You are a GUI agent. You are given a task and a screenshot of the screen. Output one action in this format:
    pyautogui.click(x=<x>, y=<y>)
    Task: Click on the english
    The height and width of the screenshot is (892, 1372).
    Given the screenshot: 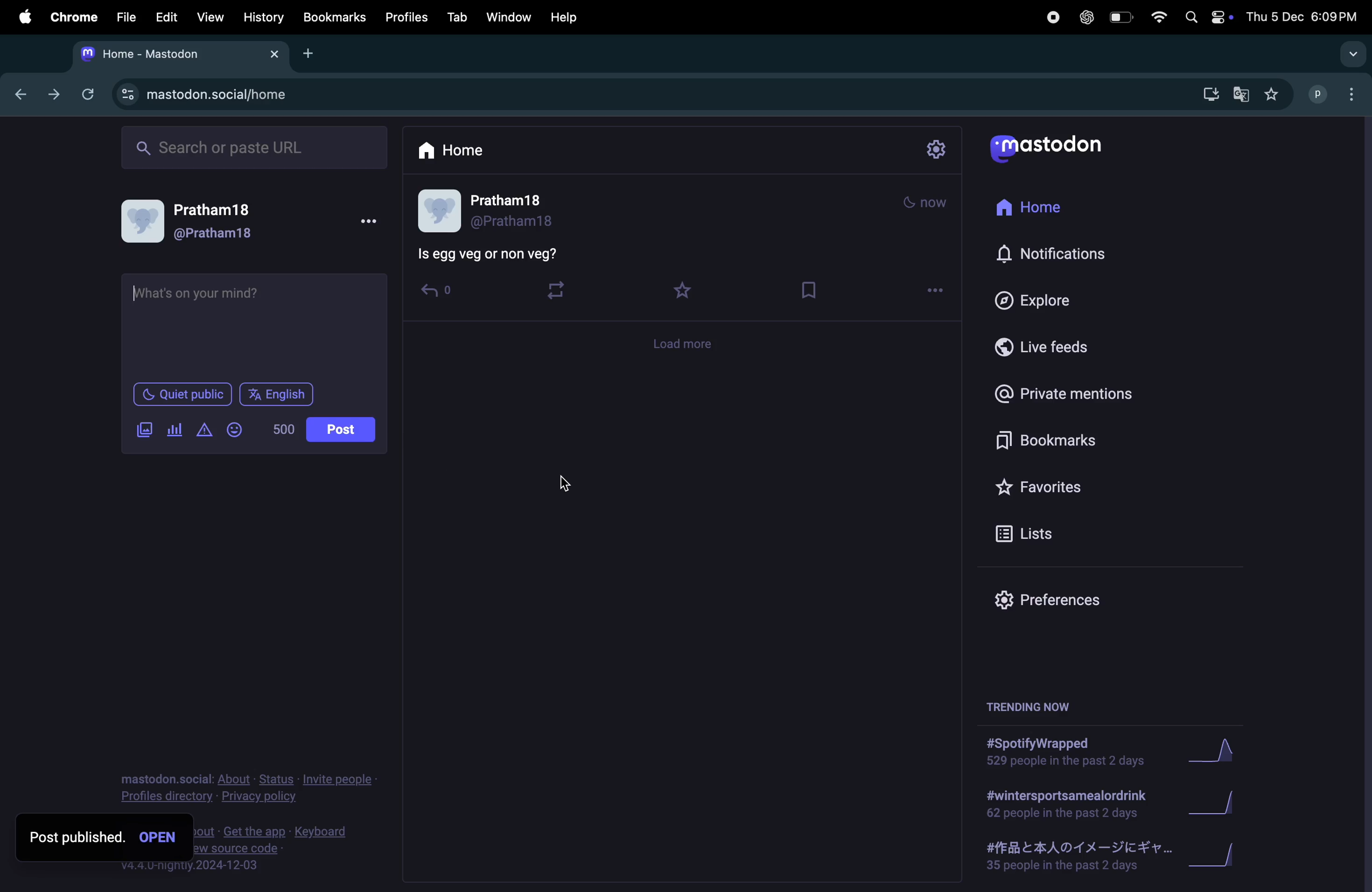 What is the action you would take?
    pyautogui.click(x=278, y=394)
    